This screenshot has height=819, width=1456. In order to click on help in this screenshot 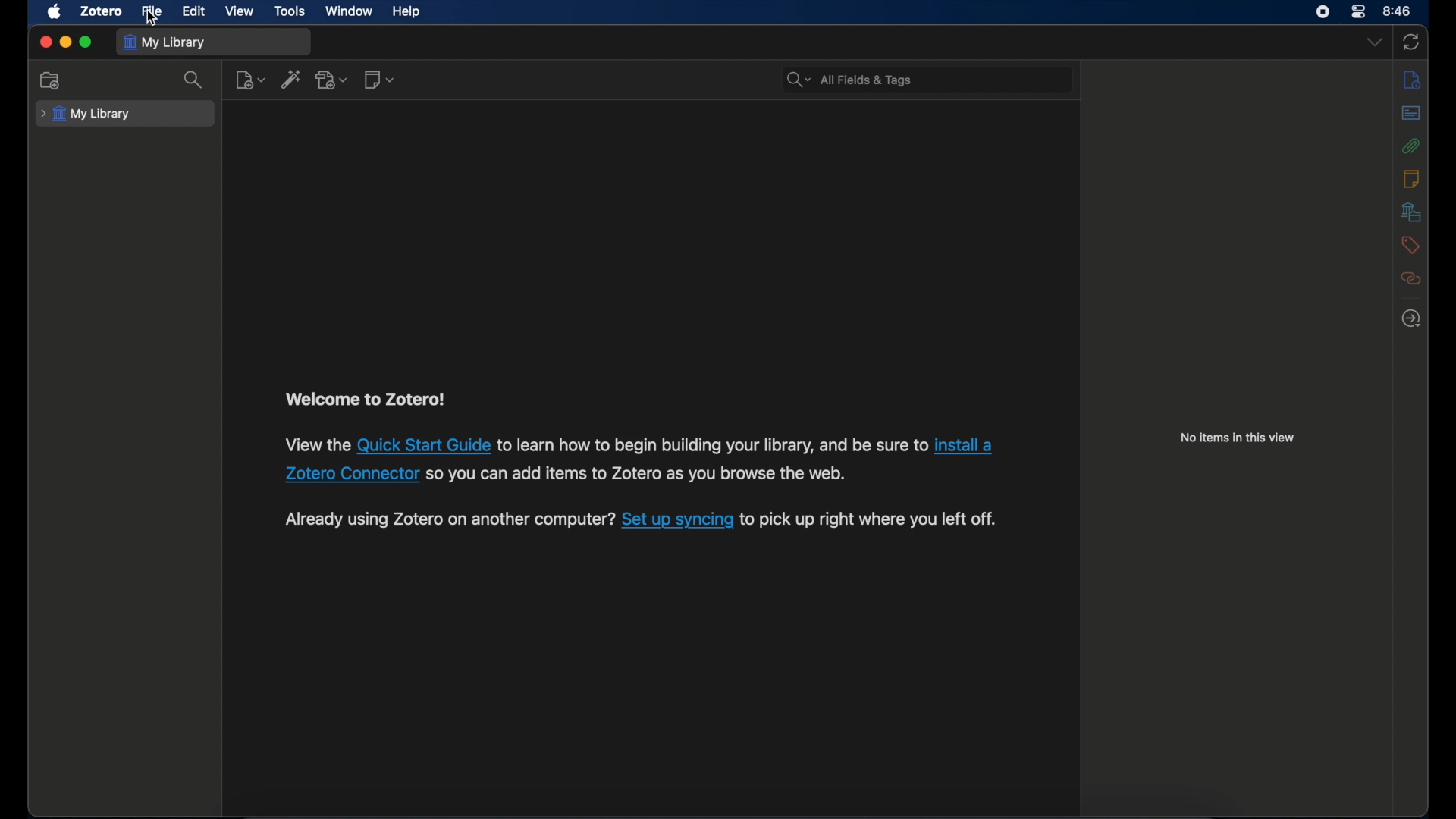, I will do `click(406, 11)`.